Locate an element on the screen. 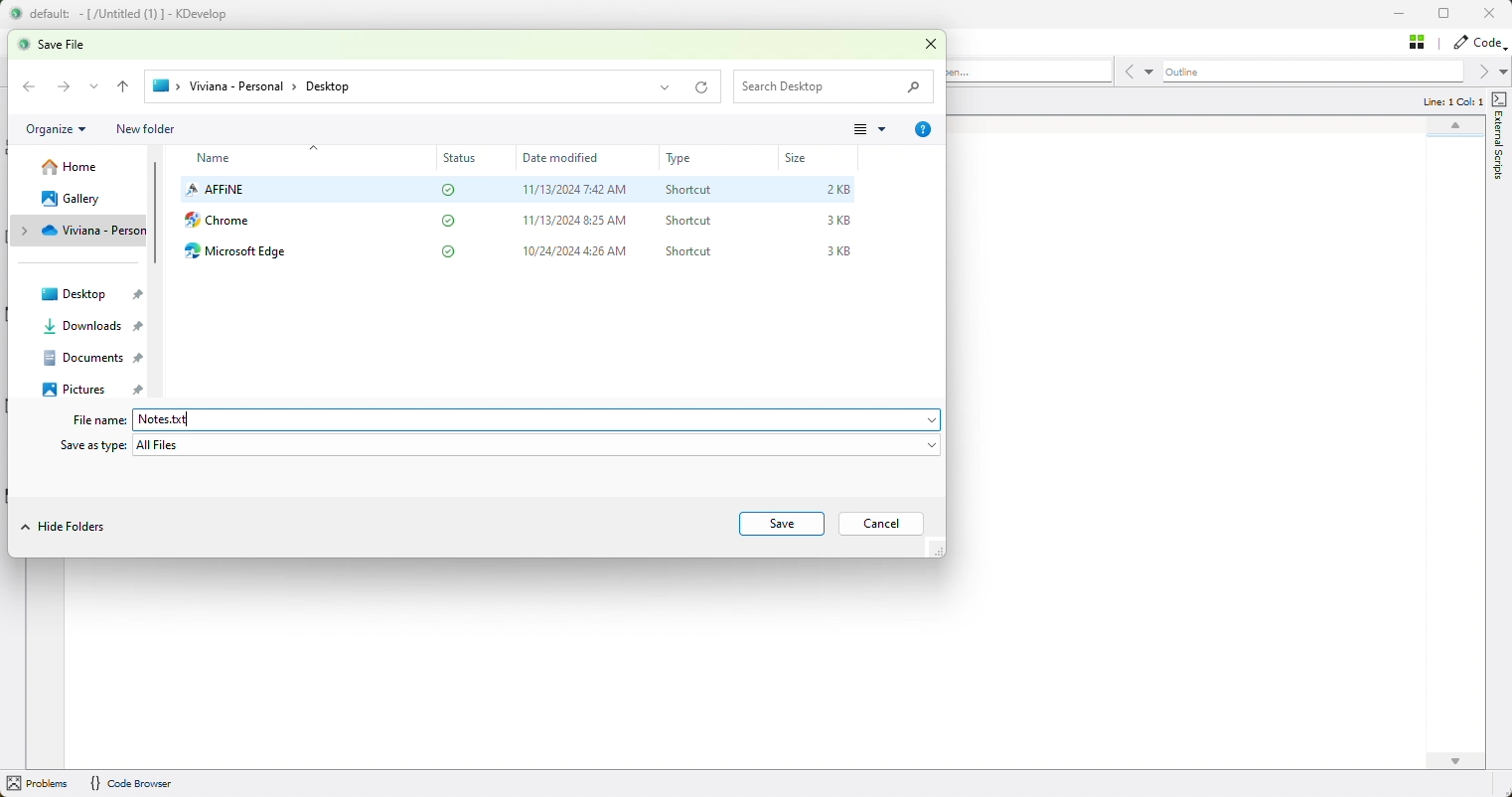  Forward  is located at coordinates (63, 86).